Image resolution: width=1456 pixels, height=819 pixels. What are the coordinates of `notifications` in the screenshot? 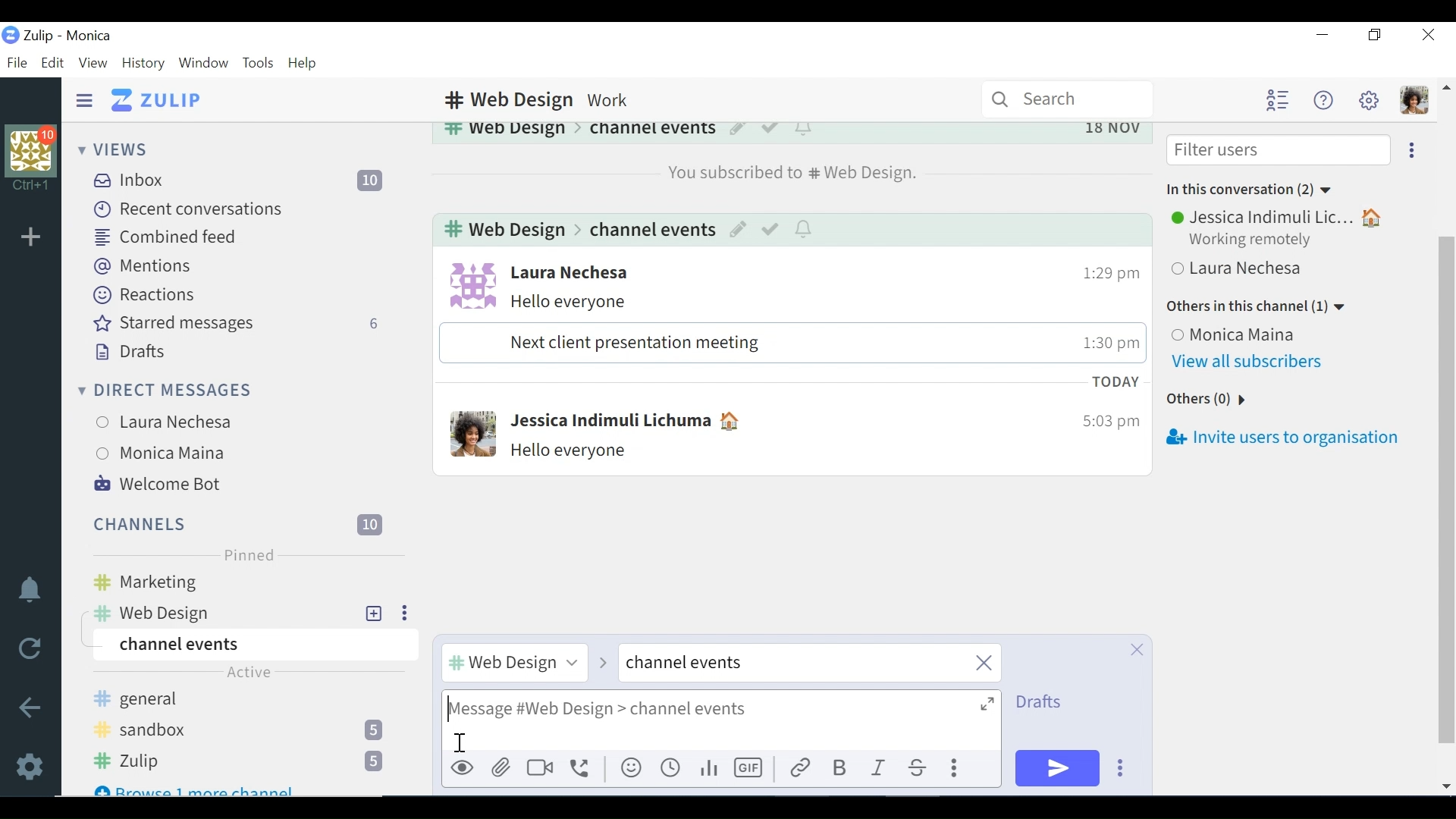 It's located at (30, 588).